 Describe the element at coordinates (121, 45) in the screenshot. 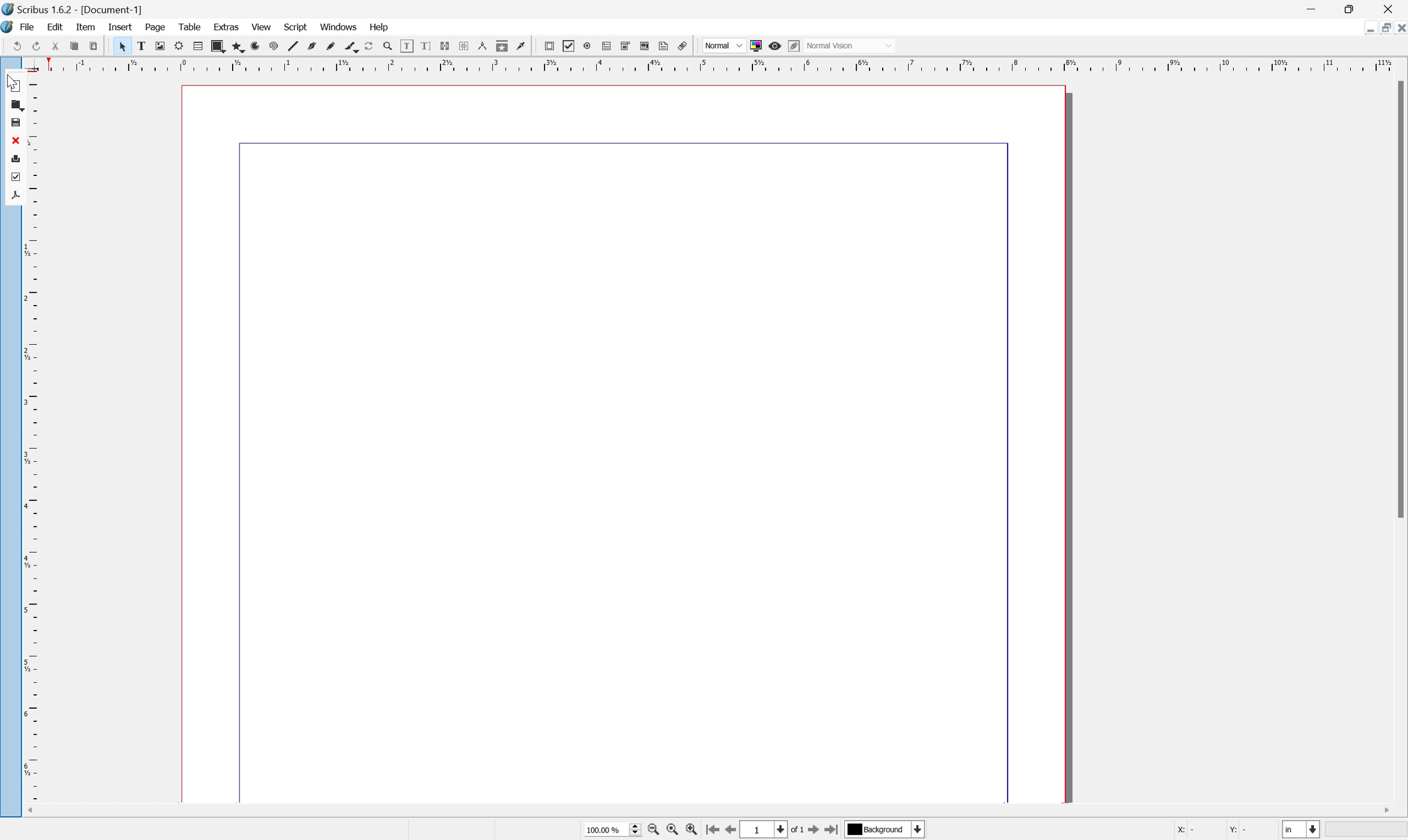

I see `preflight verifier` at that location.